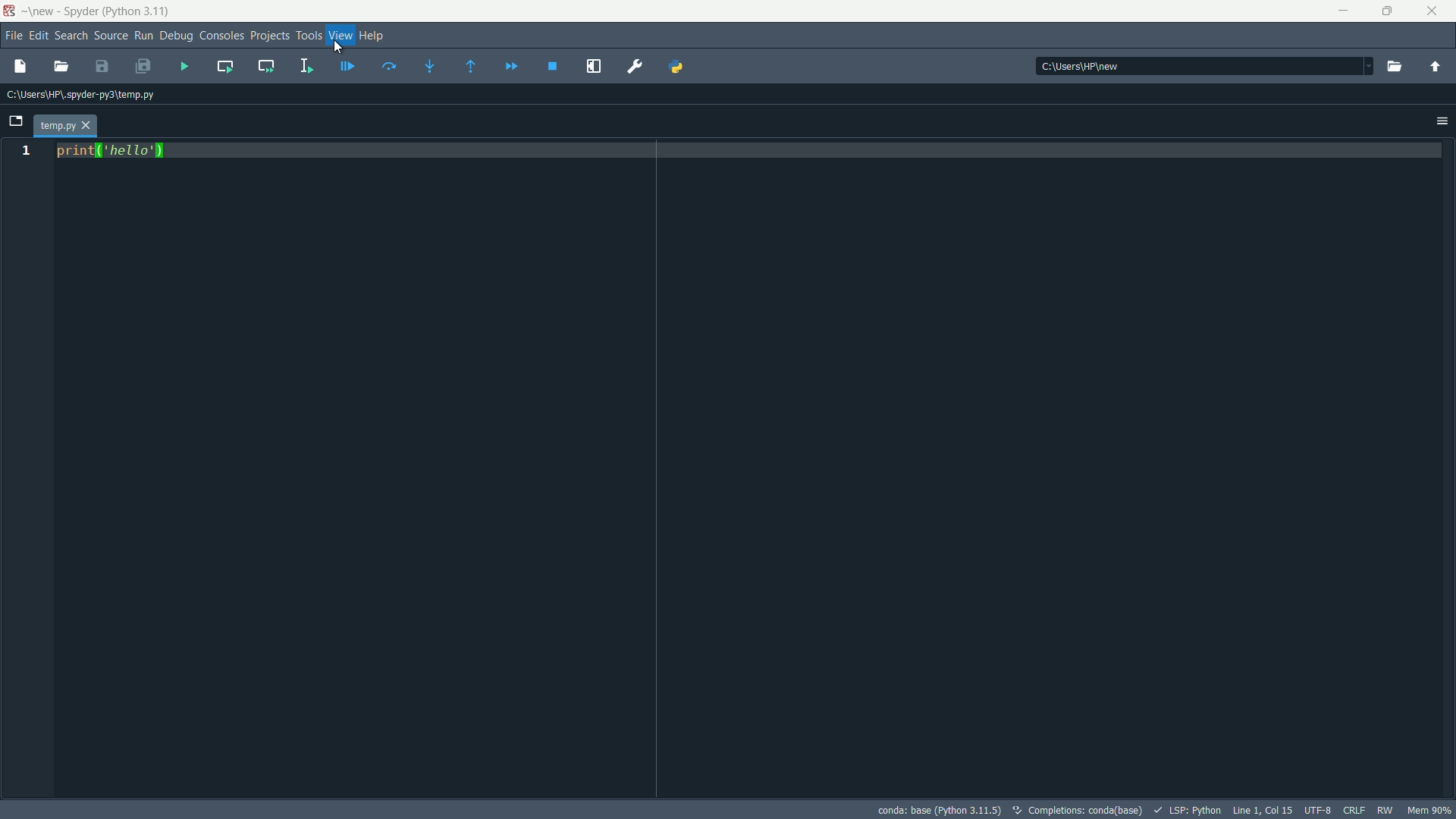  Describe the element at coordinates (185, 66) in the screenshot. I see `run file` at that location.